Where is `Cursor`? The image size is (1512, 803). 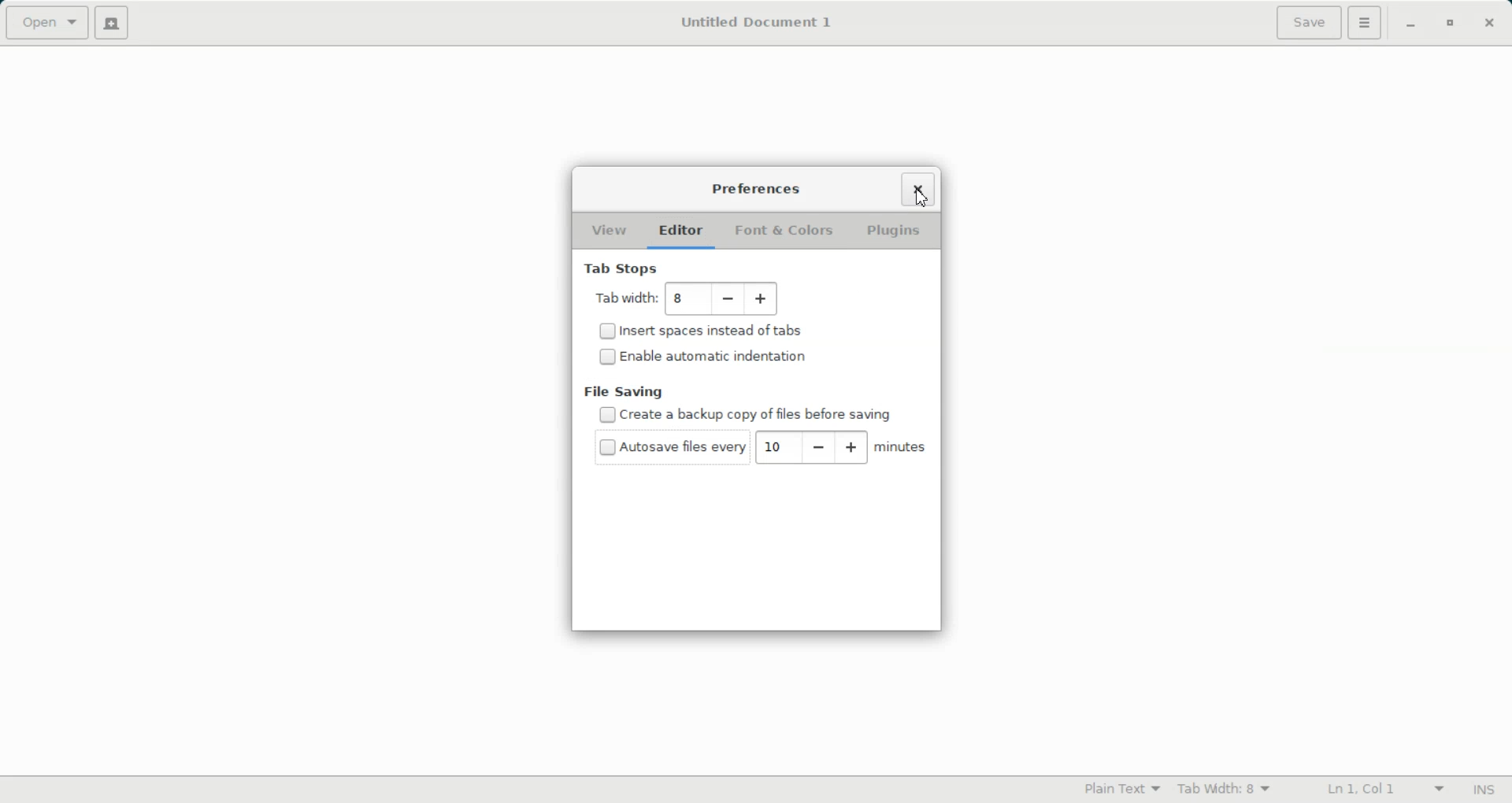 Cursor is located at coordinates (922, 197).